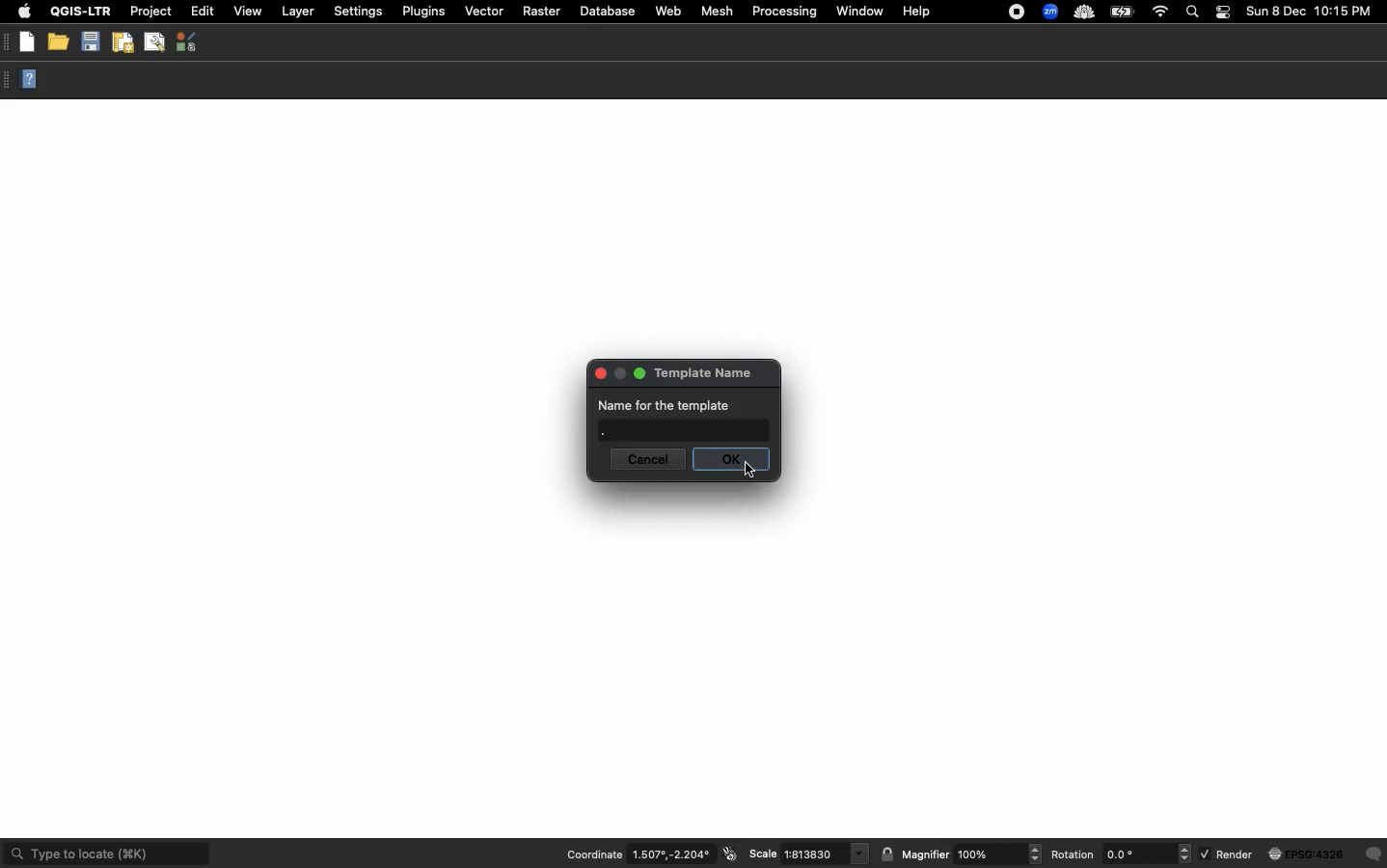 Image resolution: width=1387 pixels, height=868 pixels. I want to click on Settings, so click(358, 11).